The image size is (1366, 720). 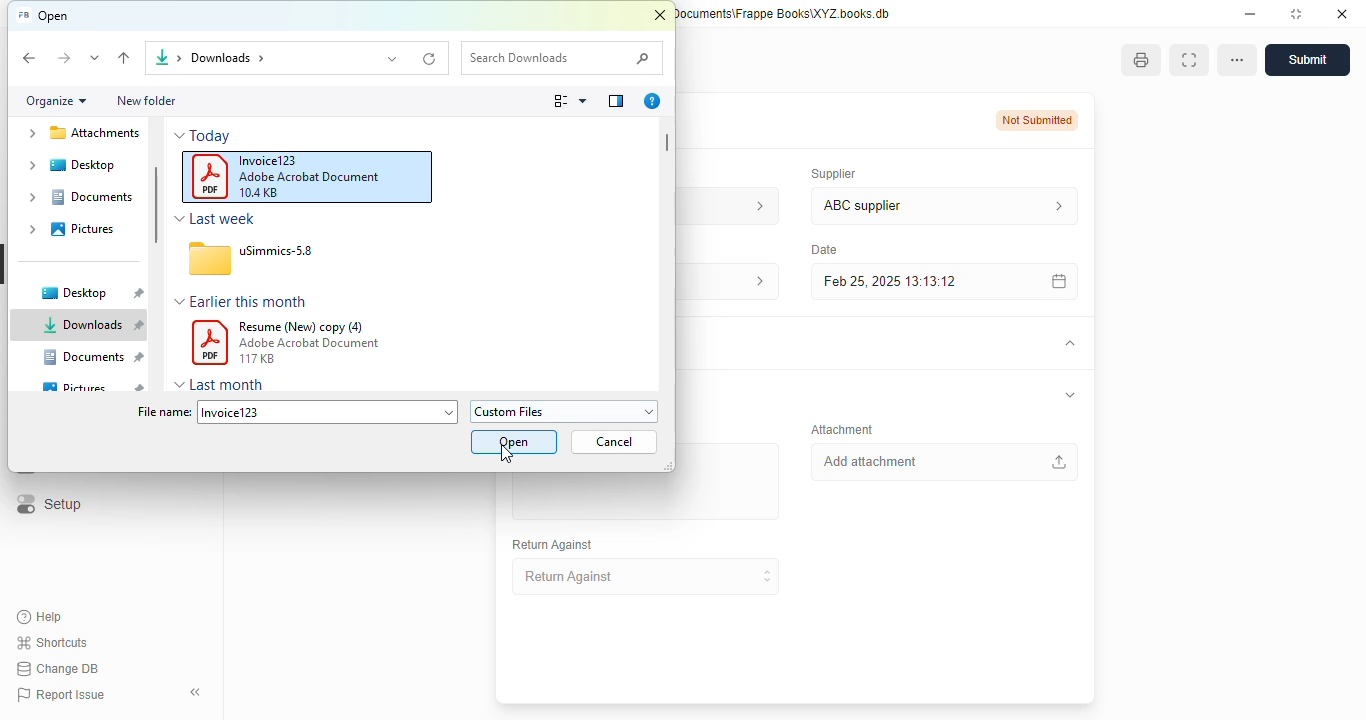 What do you see at coordinates (258, 193) in the screenshot?
I see `10.4 KB` at bounding box center [258, 193].